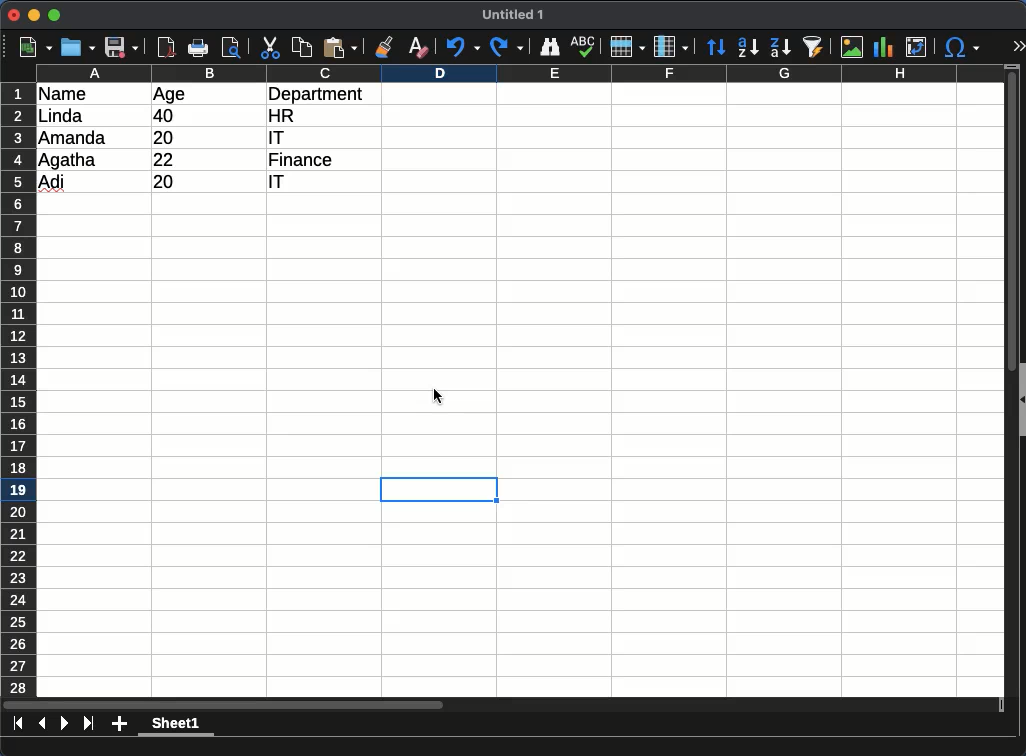  I want to click on open, so click(78, 47).